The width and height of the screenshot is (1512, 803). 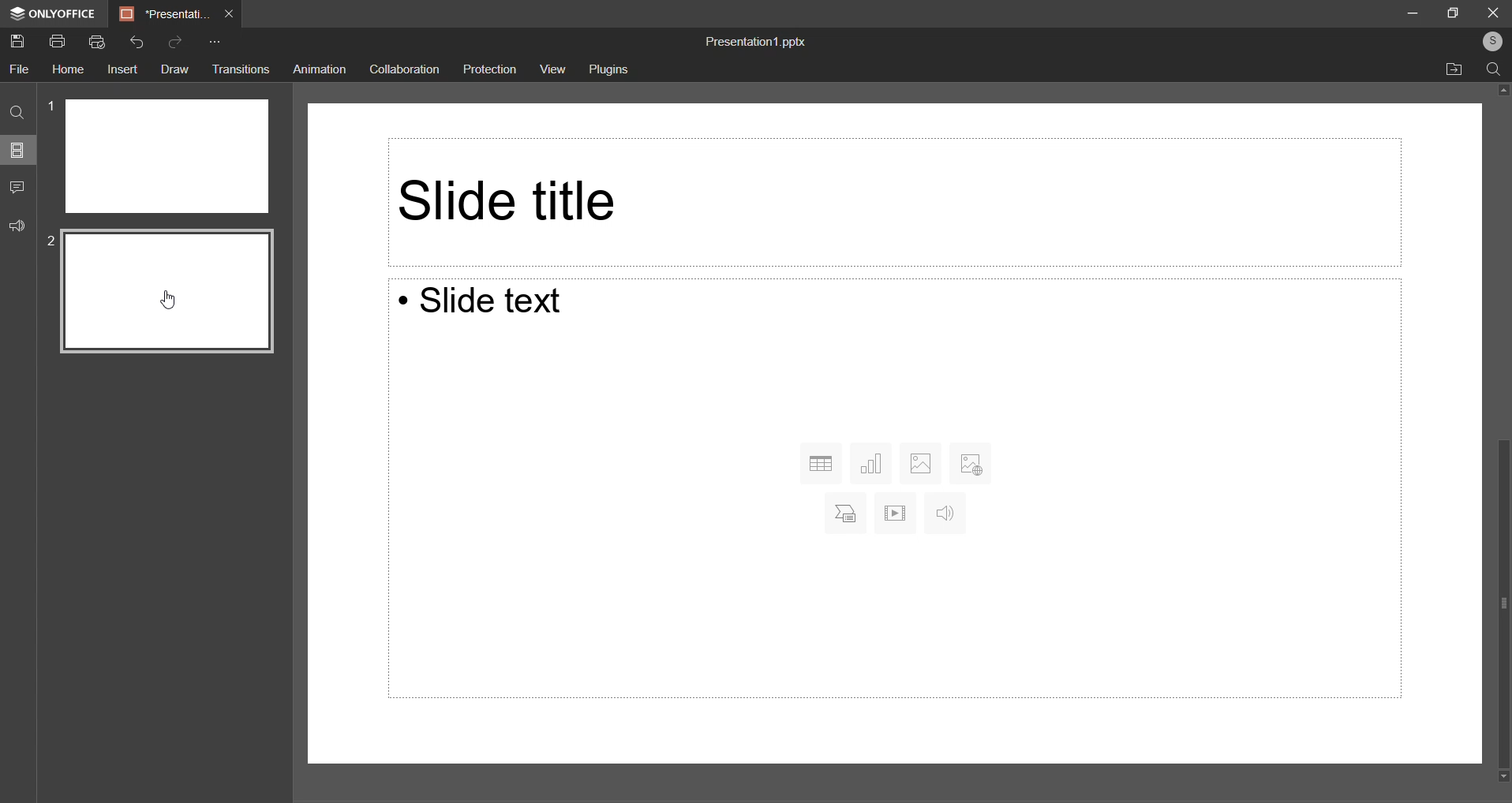 I want to click on Find, so click(x=18, y=115).